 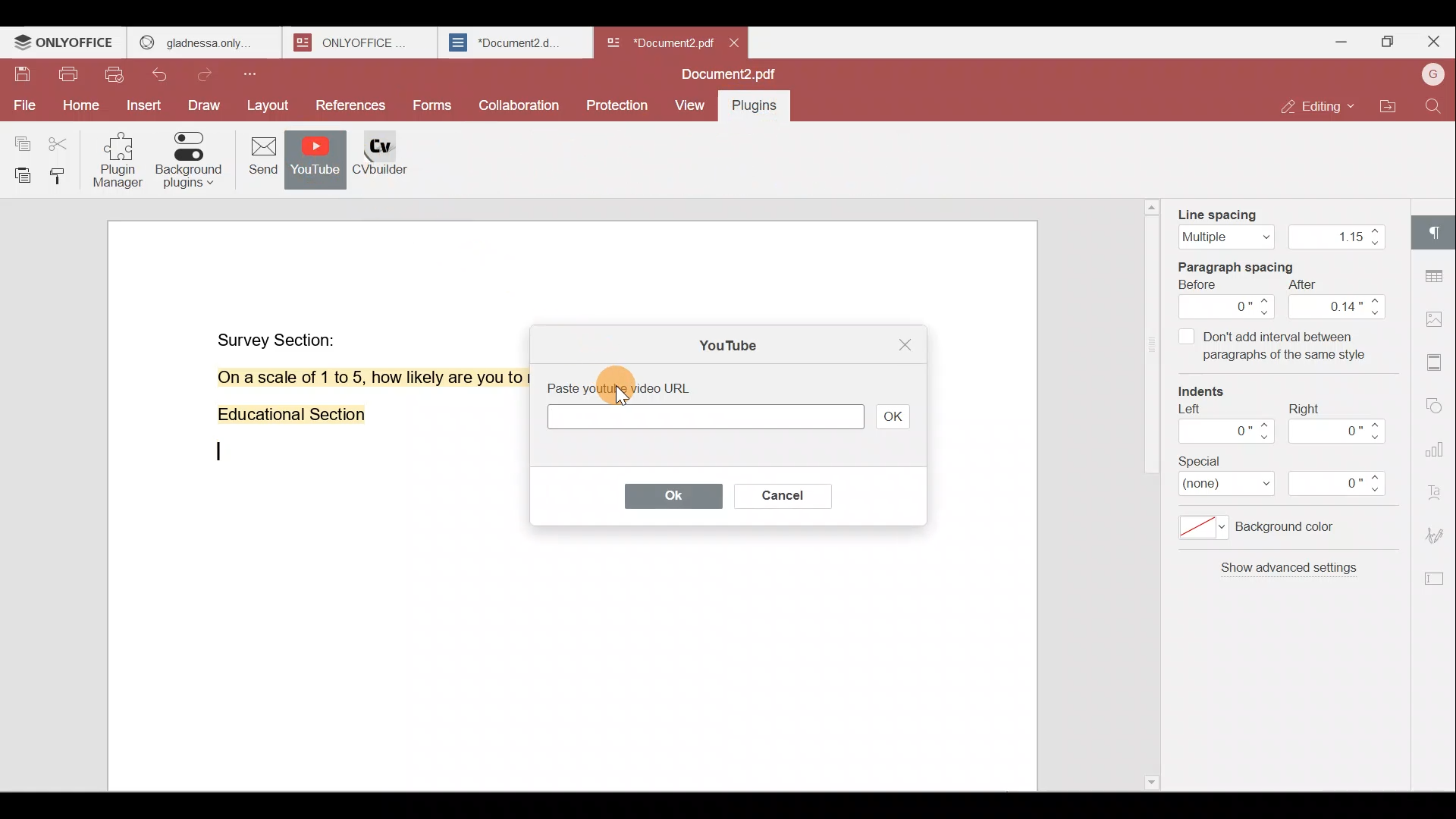 I want to click on Table settings, so click(x=1436, y=272).